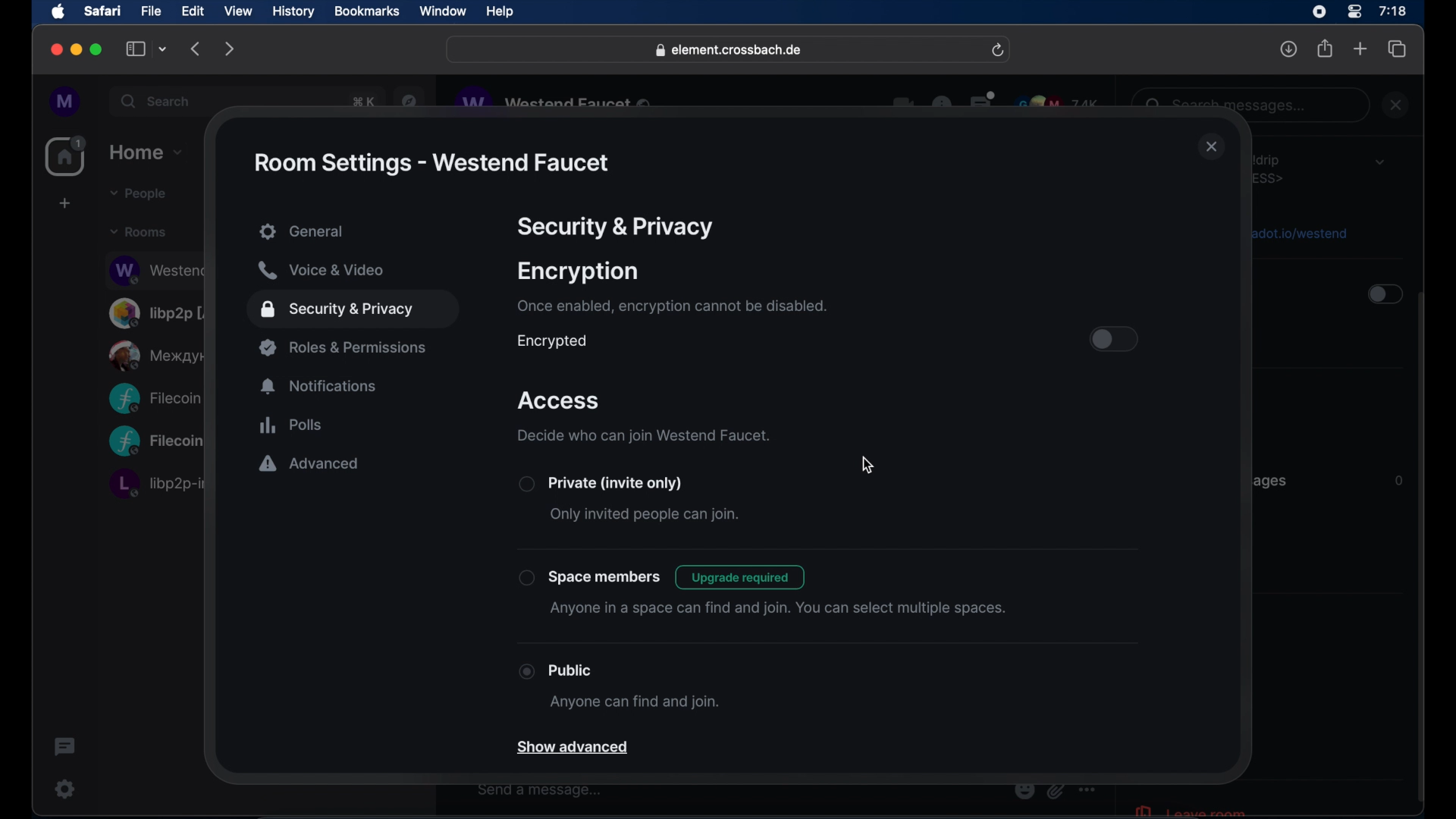 The image size is (1456, 819). What do you see at coordinates (320, 387) in the screenshot?
I see `notifications` at bounding box center [320, 387].